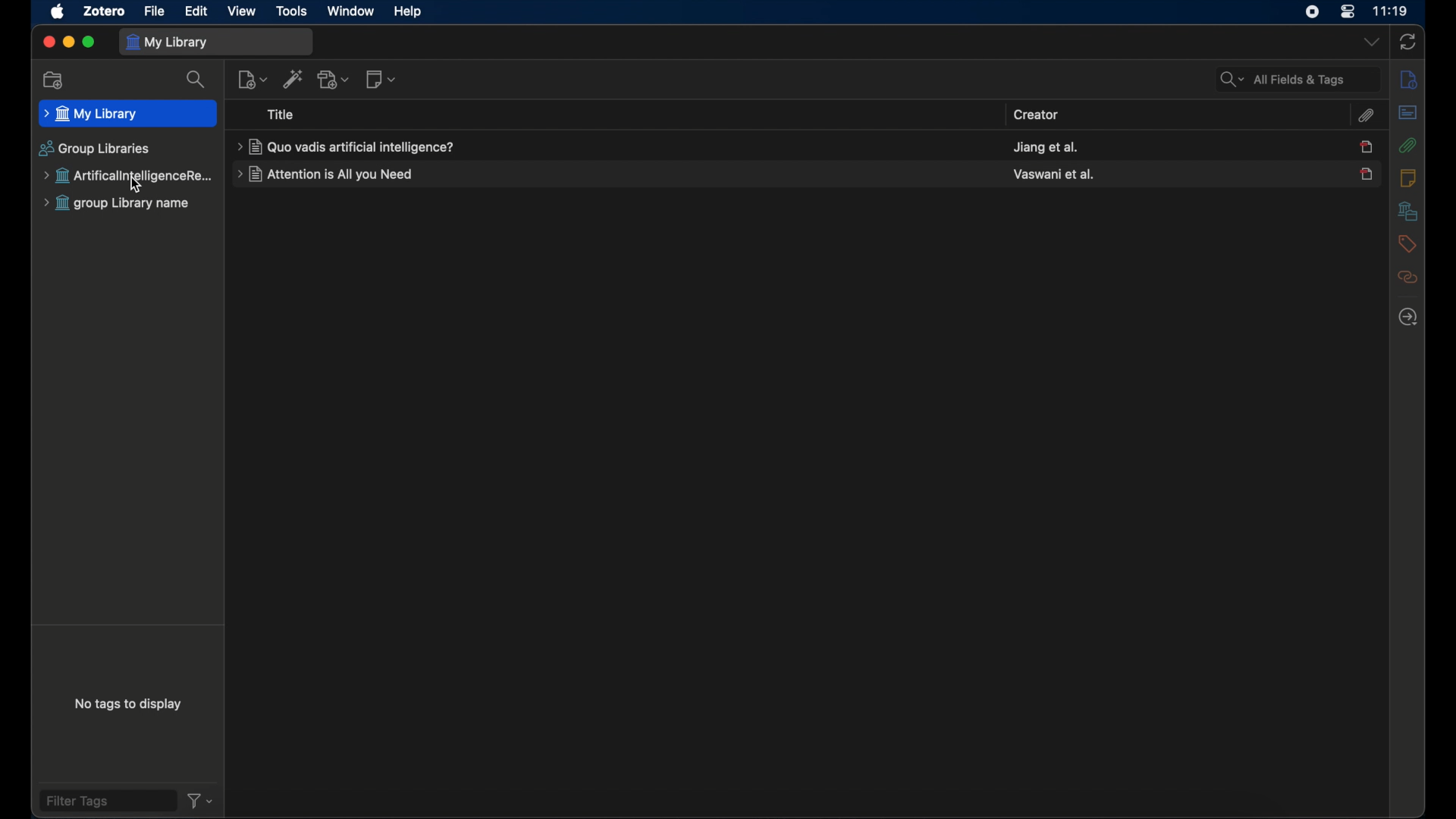  I want to click on dropdown, so click(1370, 42).